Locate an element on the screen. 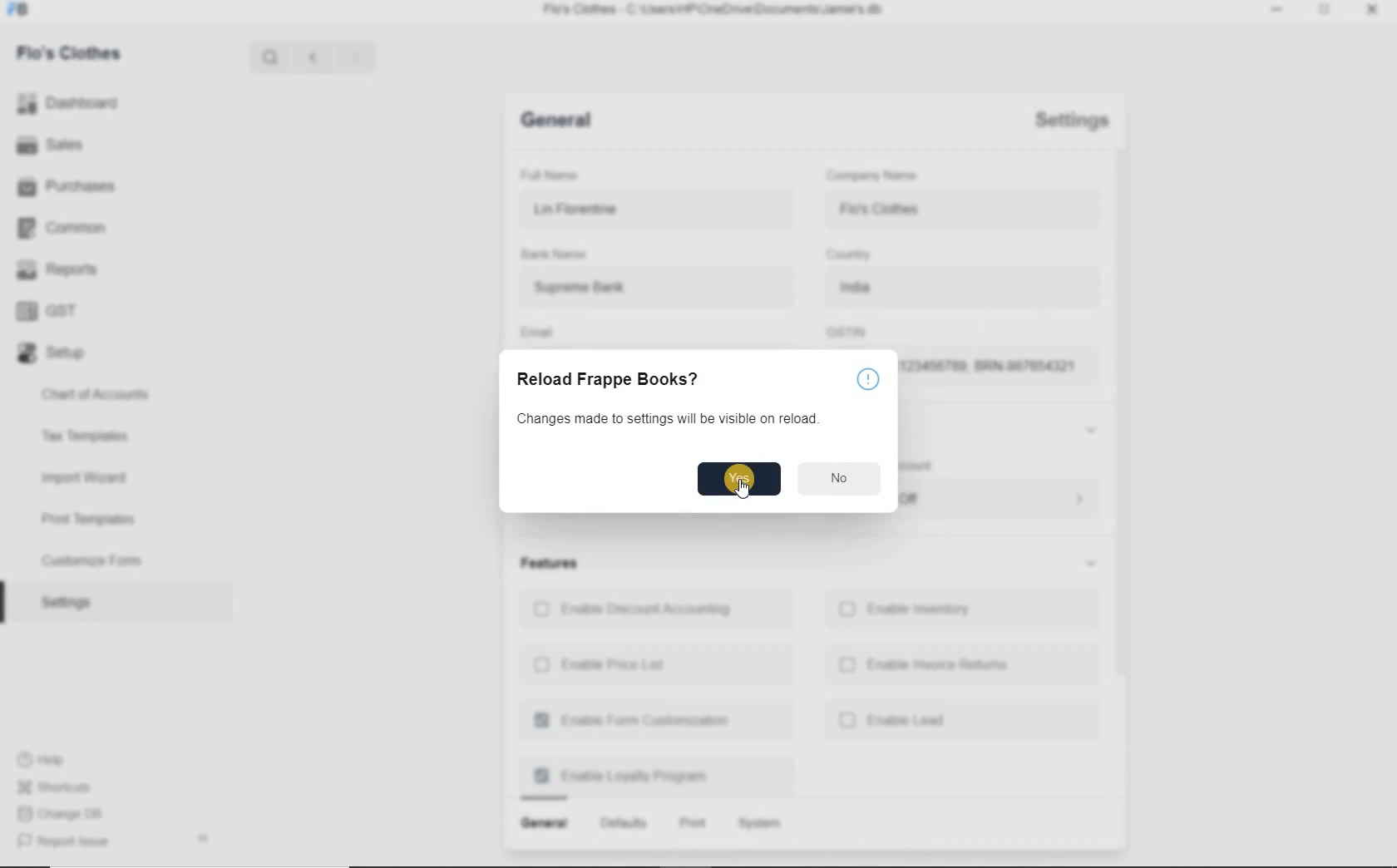 This screenshot has width=1397, height=868. no is located at coordinates (840, 477).